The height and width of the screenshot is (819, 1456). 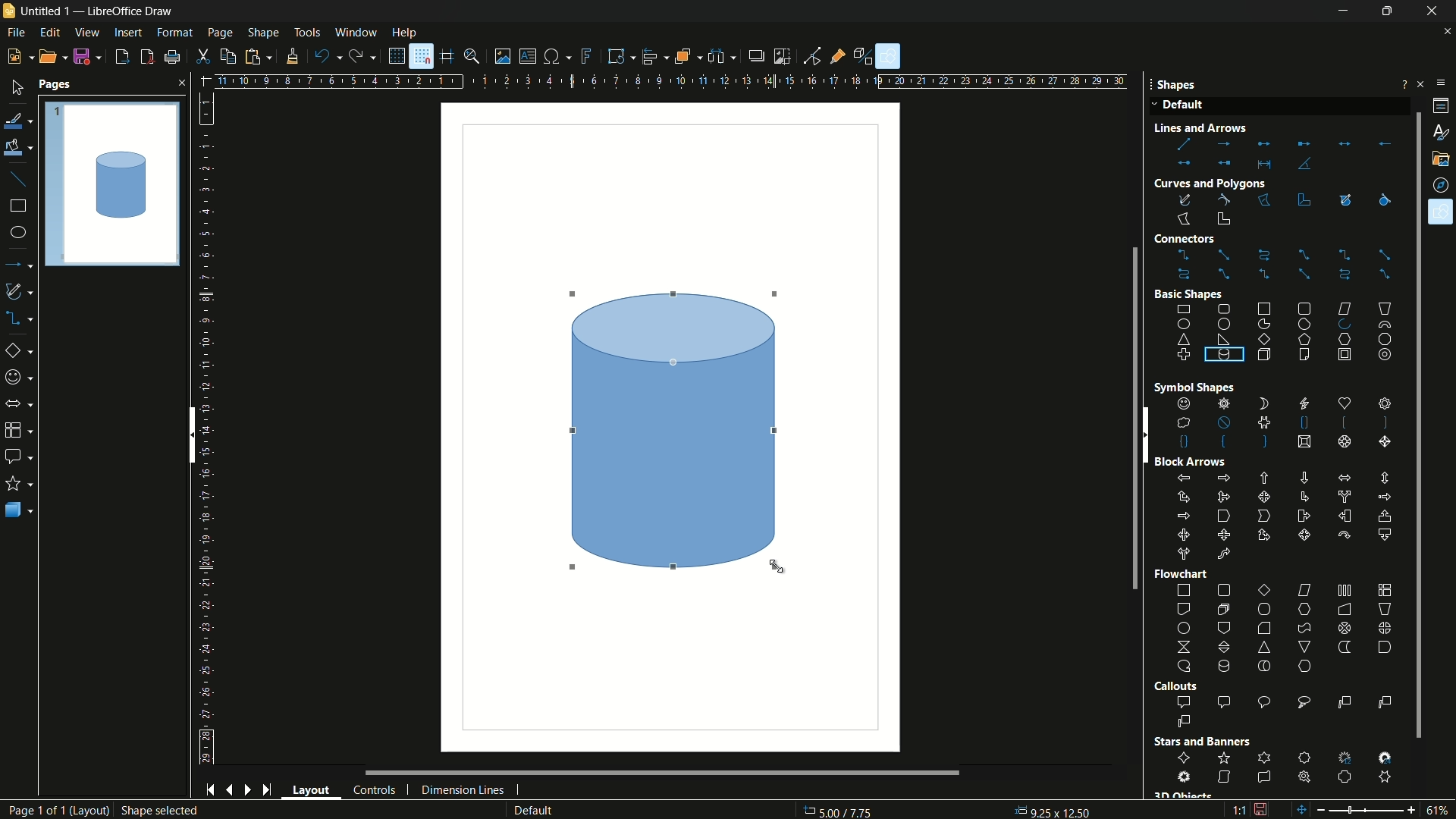 What do you see at coordinates (821, 83) in the screenshot?
I see `width measure scale` at bounding box center [821, 83].